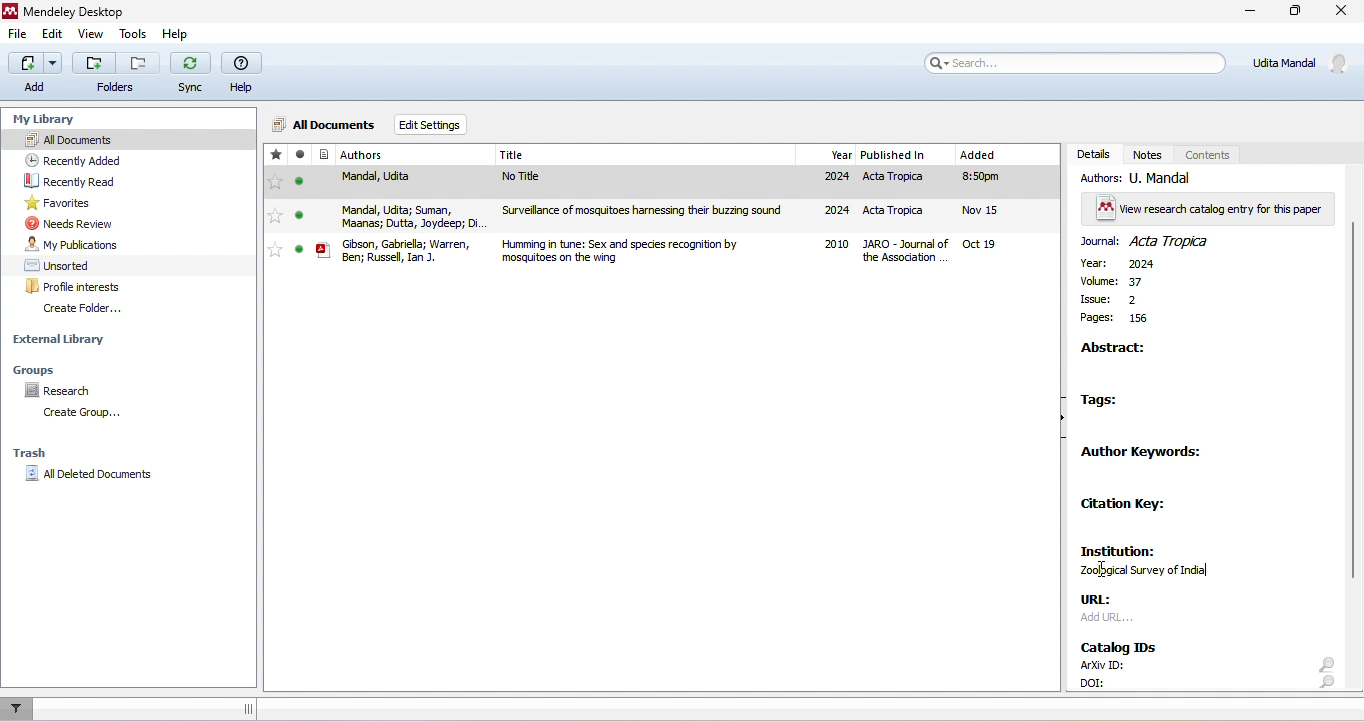  What do you see at coordinates (1120, 350) in the screenshot?
I see `abstract` at bounding box center [1120, 350].